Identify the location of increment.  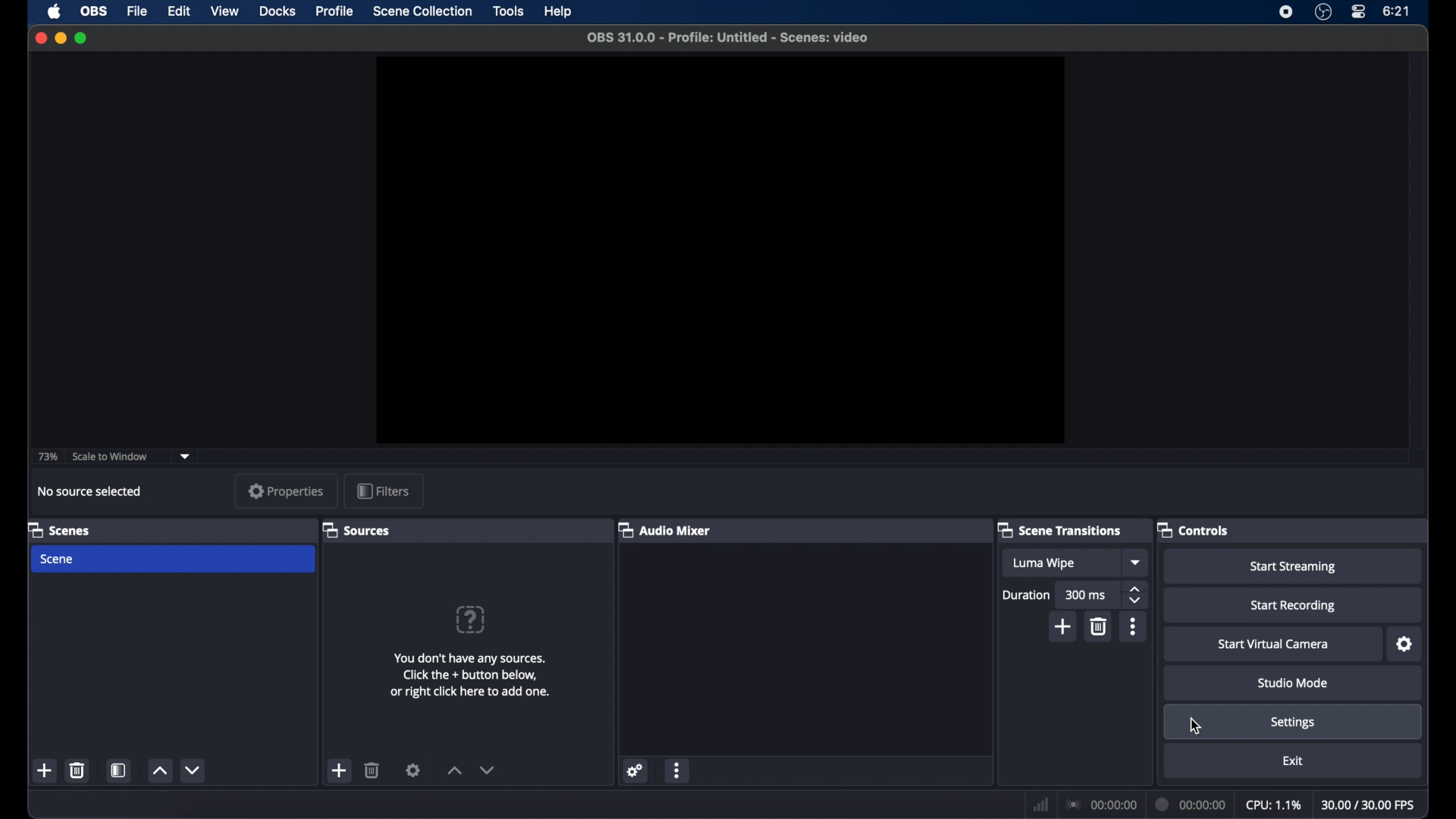
(159, 770).